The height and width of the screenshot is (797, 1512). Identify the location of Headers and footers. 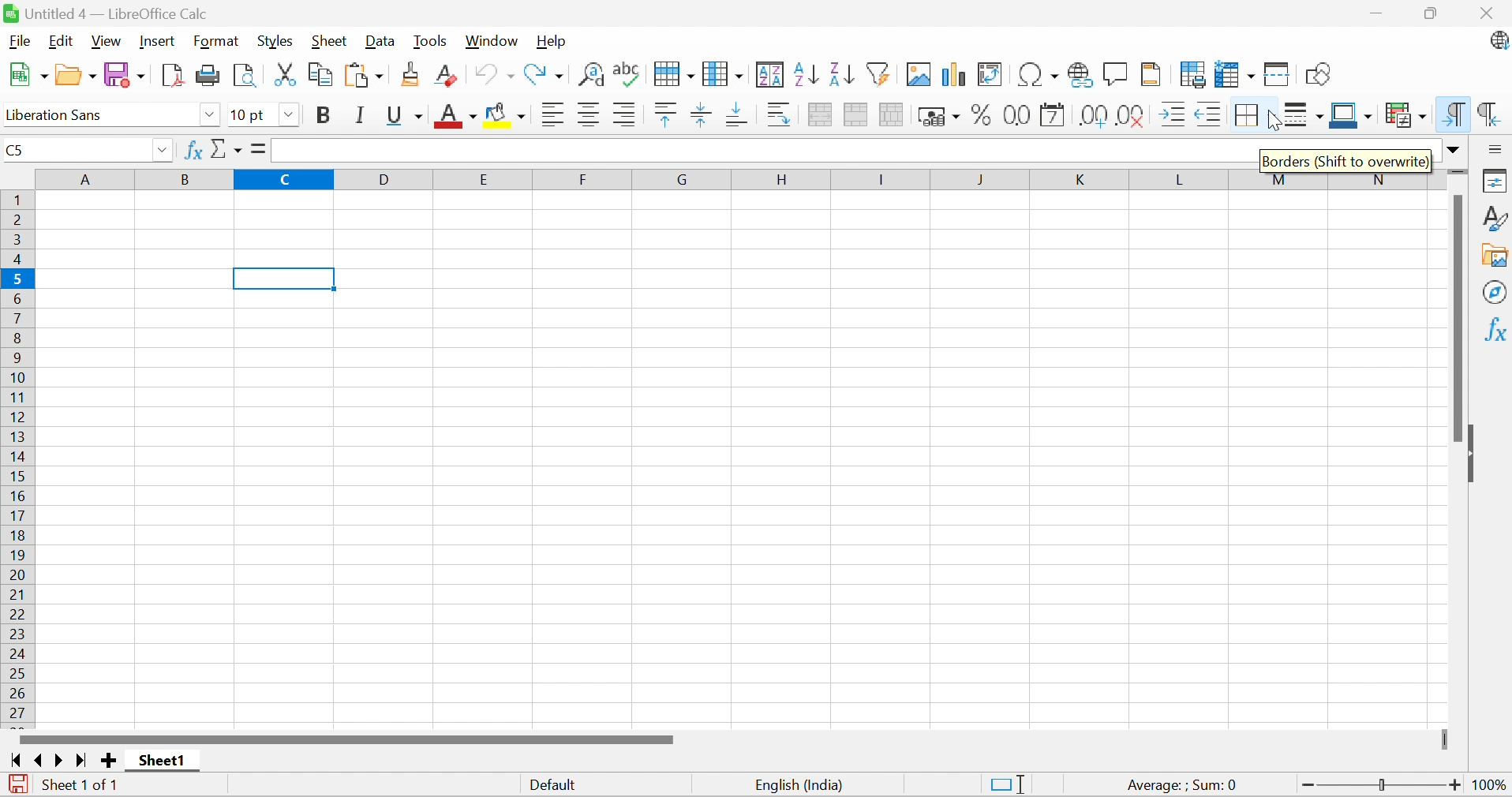
(1151, 73).